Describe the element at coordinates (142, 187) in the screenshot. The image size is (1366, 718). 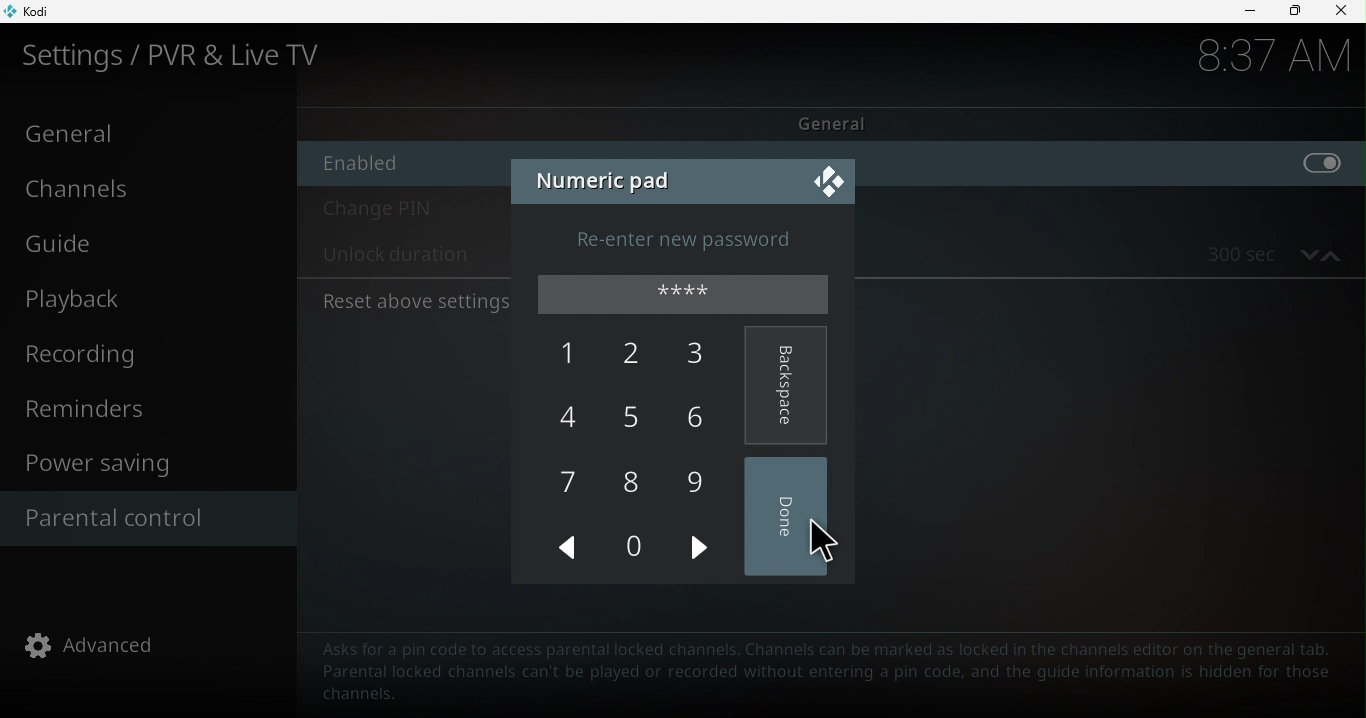
I see `Channels` at that location.